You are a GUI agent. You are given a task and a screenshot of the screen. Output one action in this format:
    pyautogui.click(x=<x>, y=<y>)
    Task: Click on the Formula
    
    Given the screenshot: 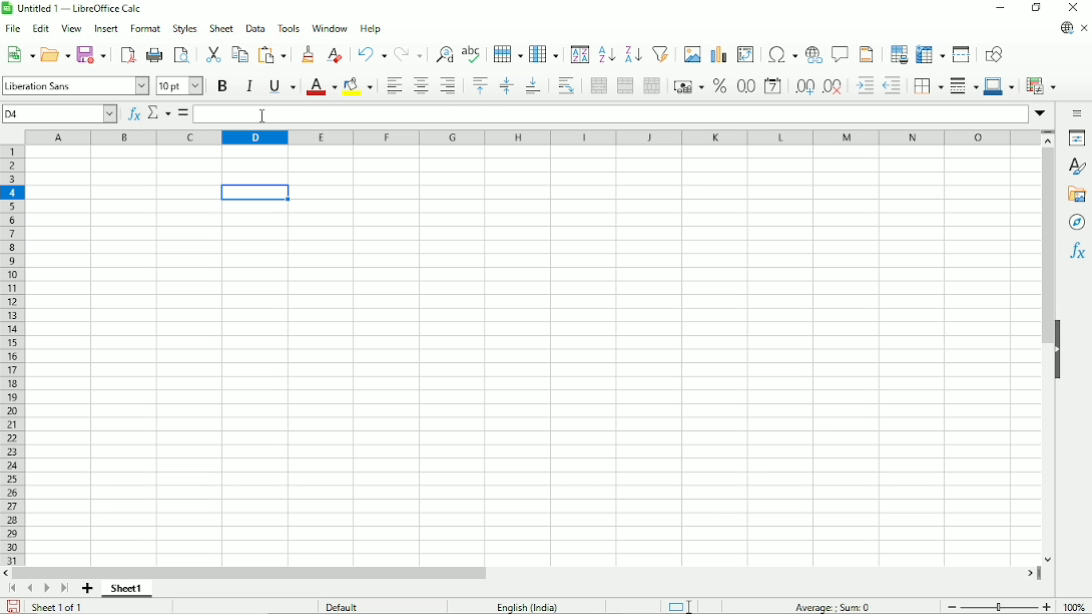 What is the action you would take?
    pyautogui.click(x=183, y=114)
    